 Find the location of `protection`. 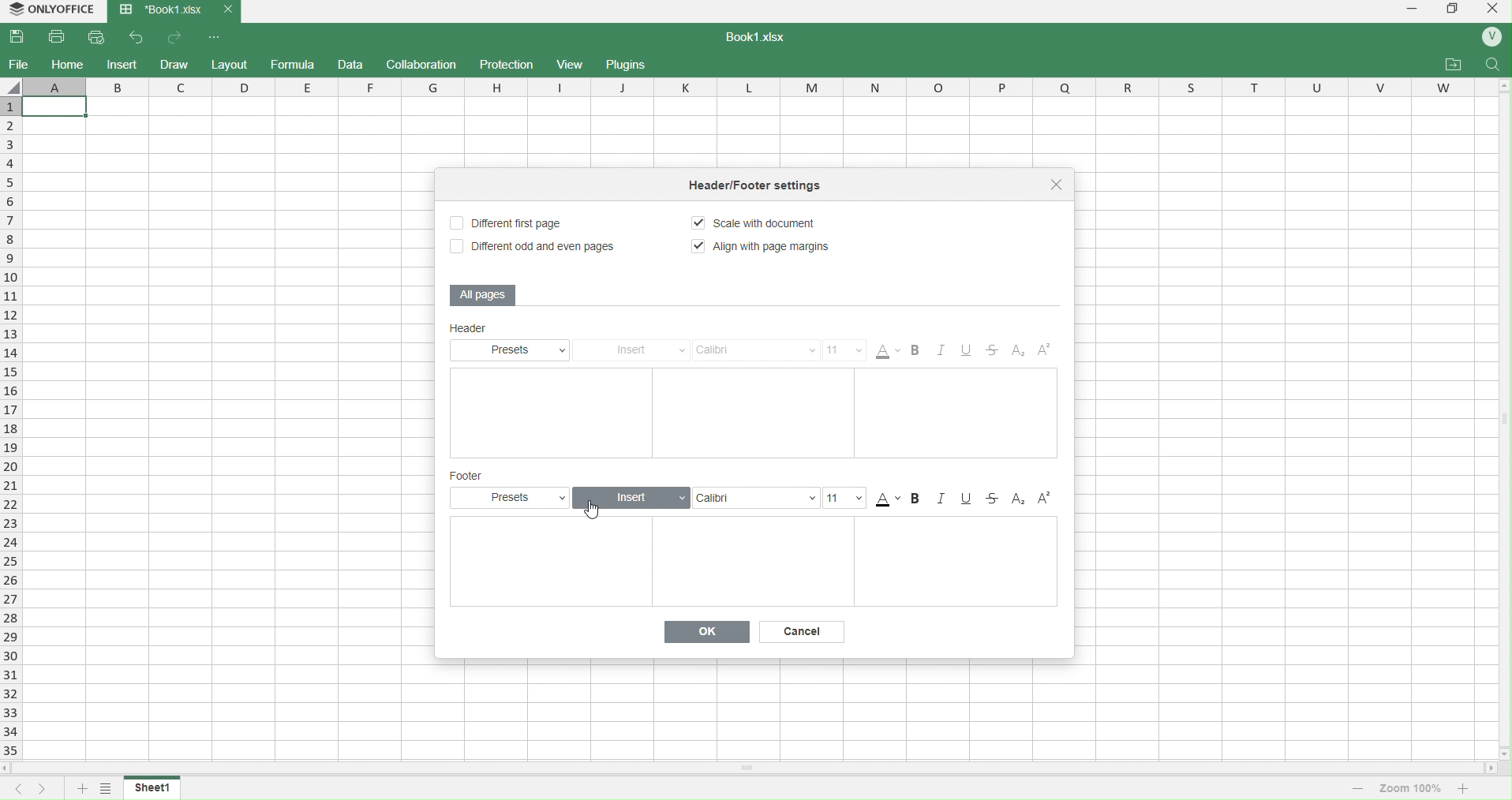

protection is located at coordinates (503, 64).